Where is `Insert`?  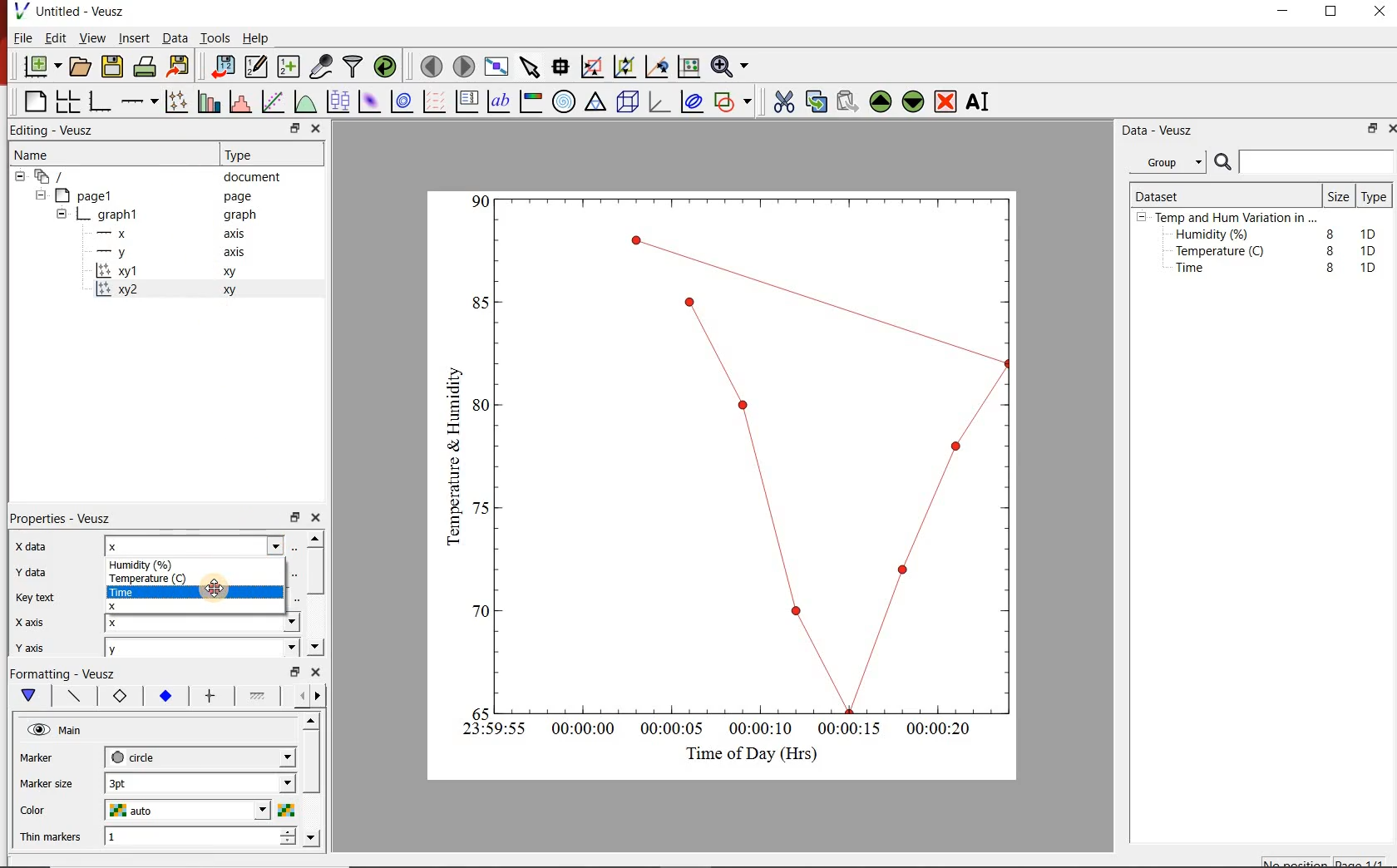 Insert is located at coordinates (131, 38).